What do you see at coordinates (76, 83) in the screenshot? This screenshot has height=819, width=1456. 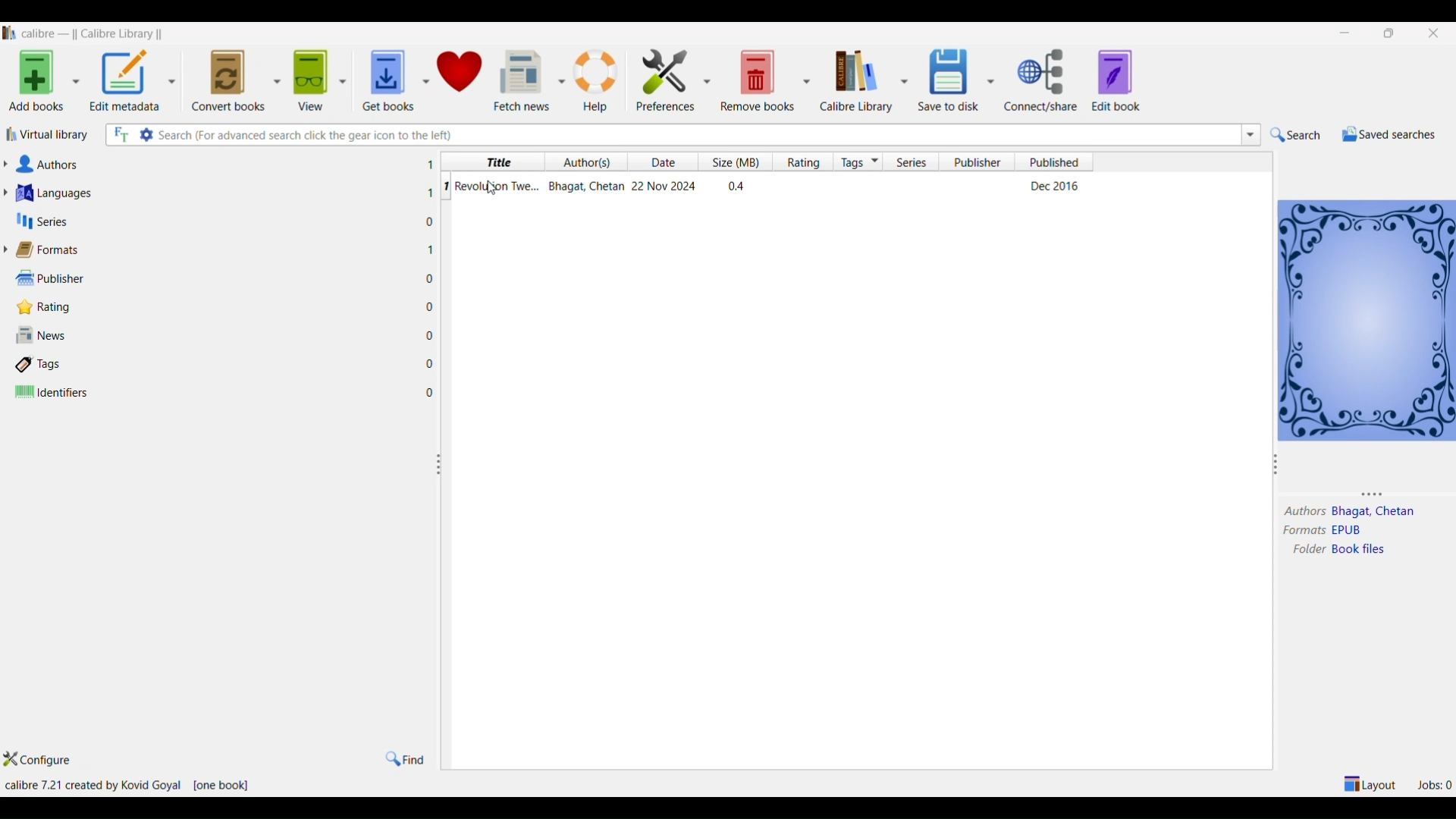 I see `add books option dropdown button` at bounding box center [76, 83].